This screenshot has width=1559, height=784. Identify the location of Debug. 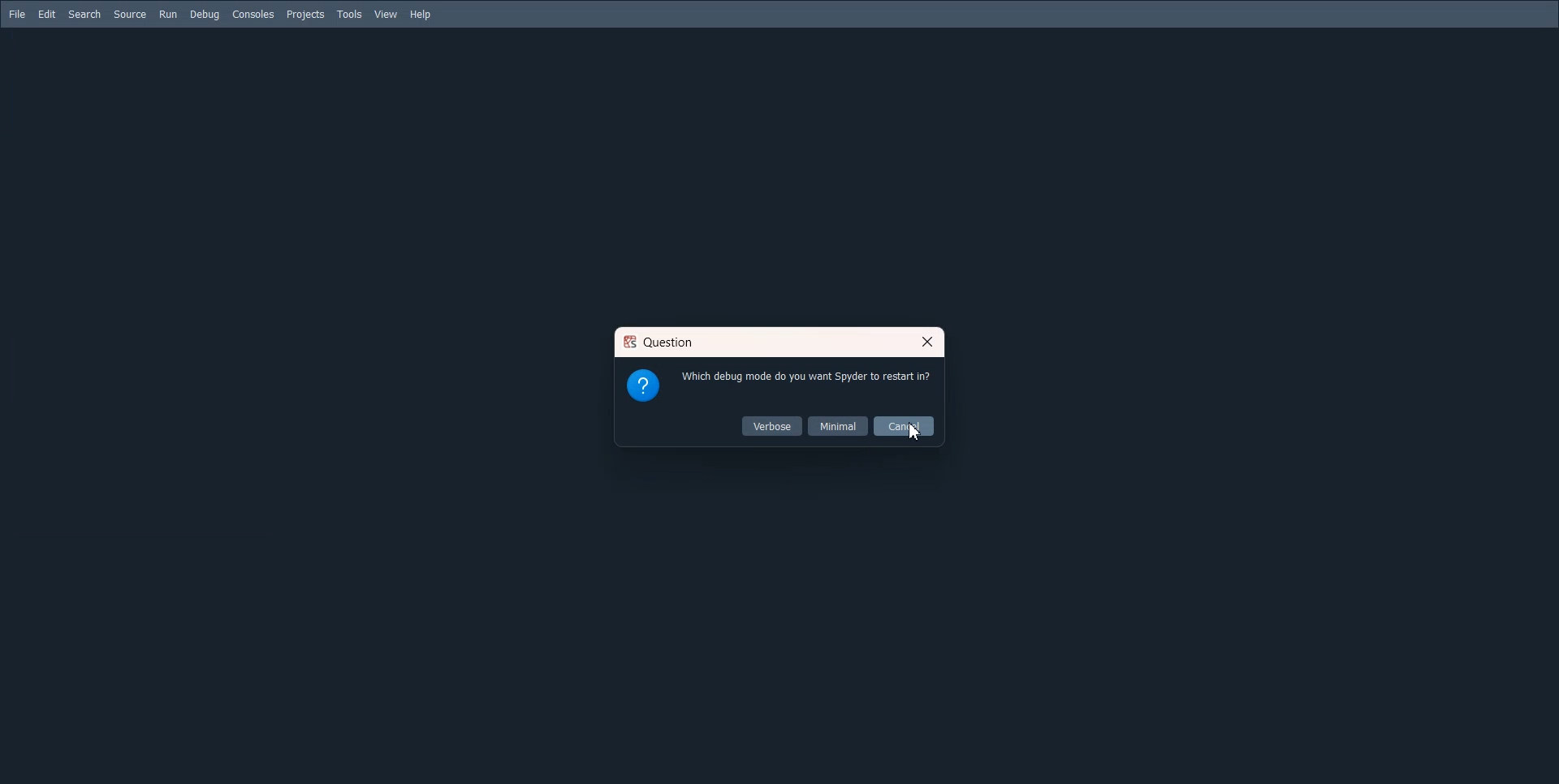
(204, 15).